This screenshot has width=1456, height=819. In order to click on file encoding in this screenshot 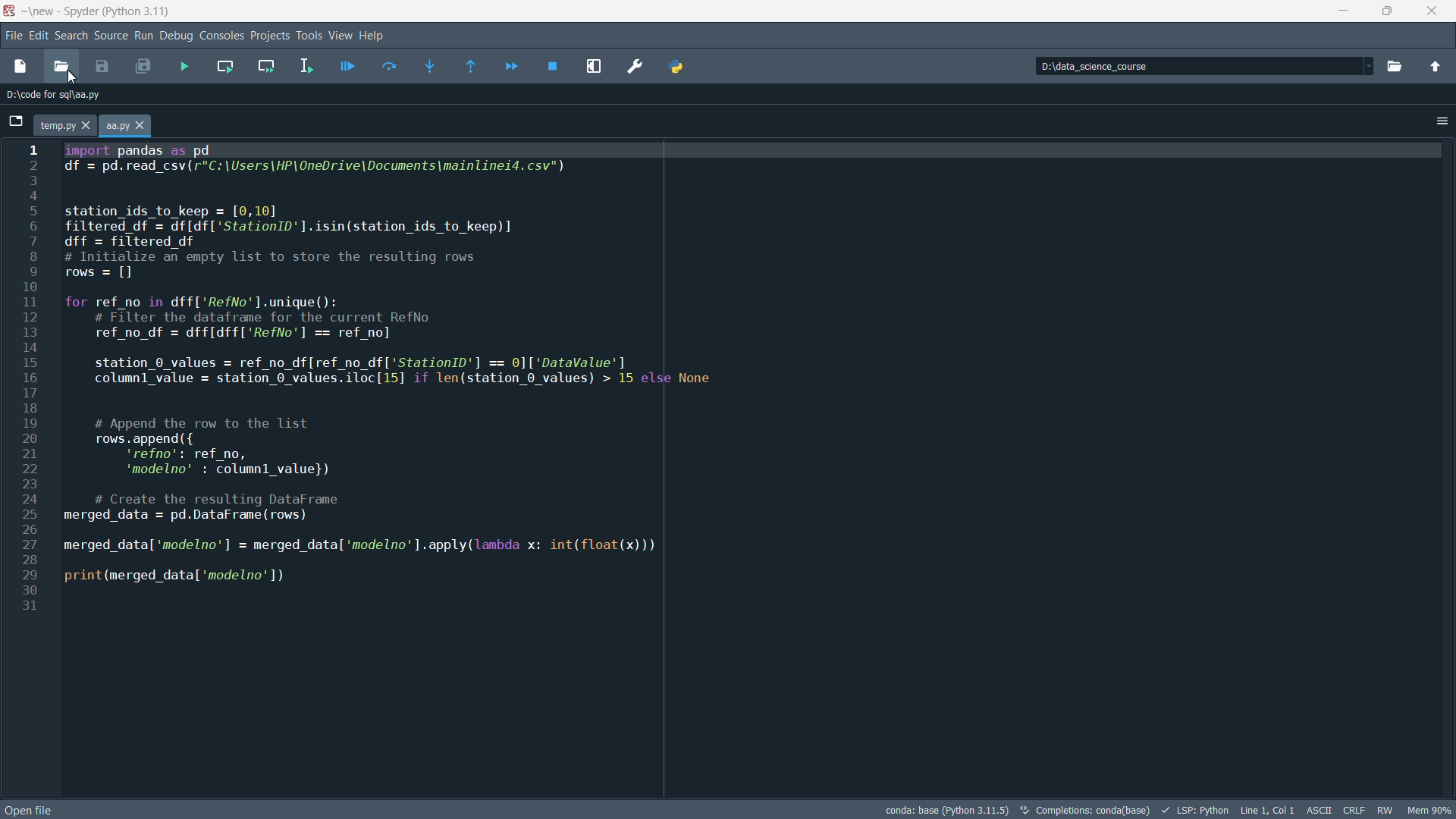, I will do `click(1351, 811)`.